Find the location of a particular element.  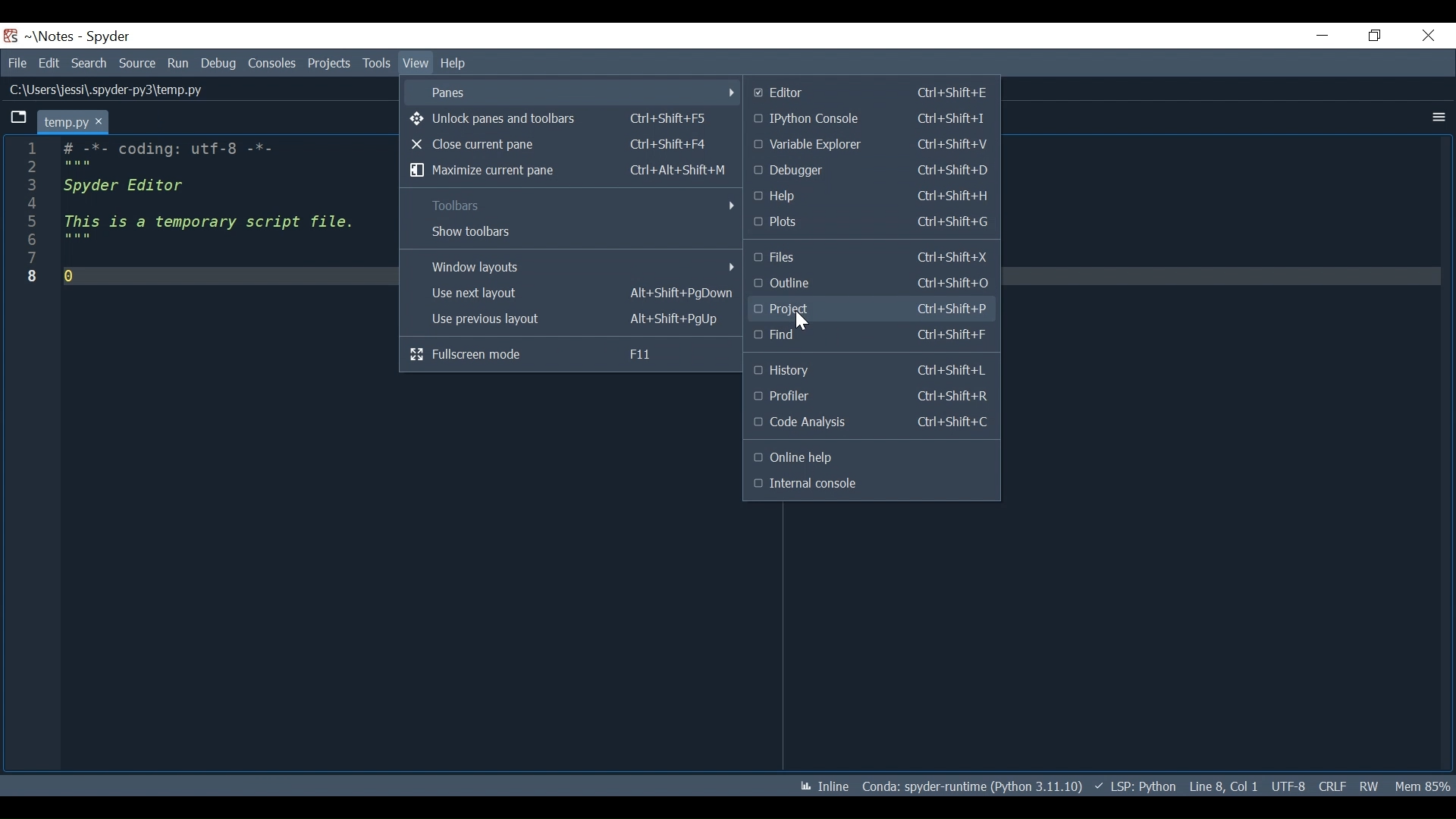

Toggle between inline and interactive Matplotlib plotting is located at coordinates (826, 786).